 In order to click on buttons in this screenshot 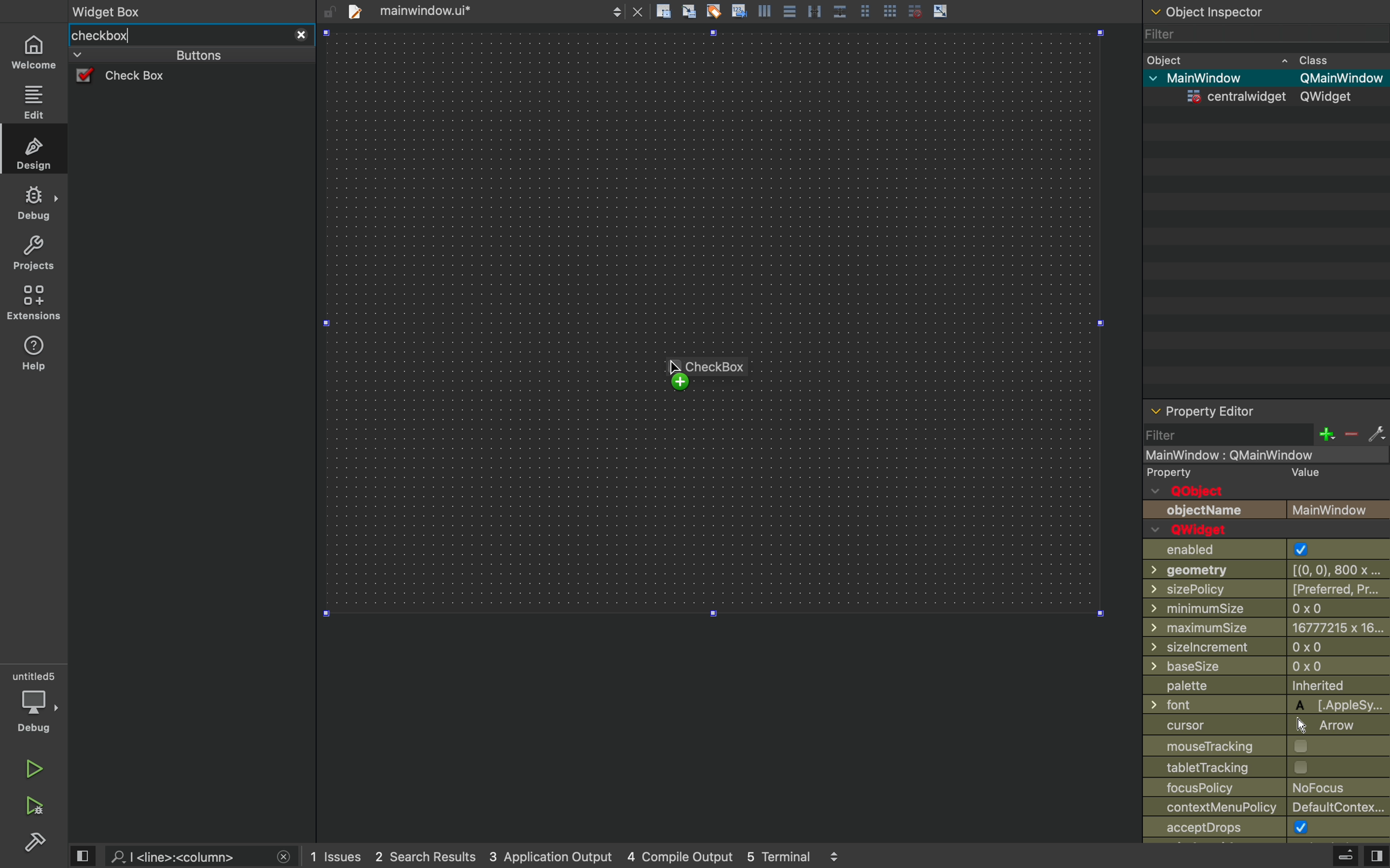, I will do `click(175, 55)`.